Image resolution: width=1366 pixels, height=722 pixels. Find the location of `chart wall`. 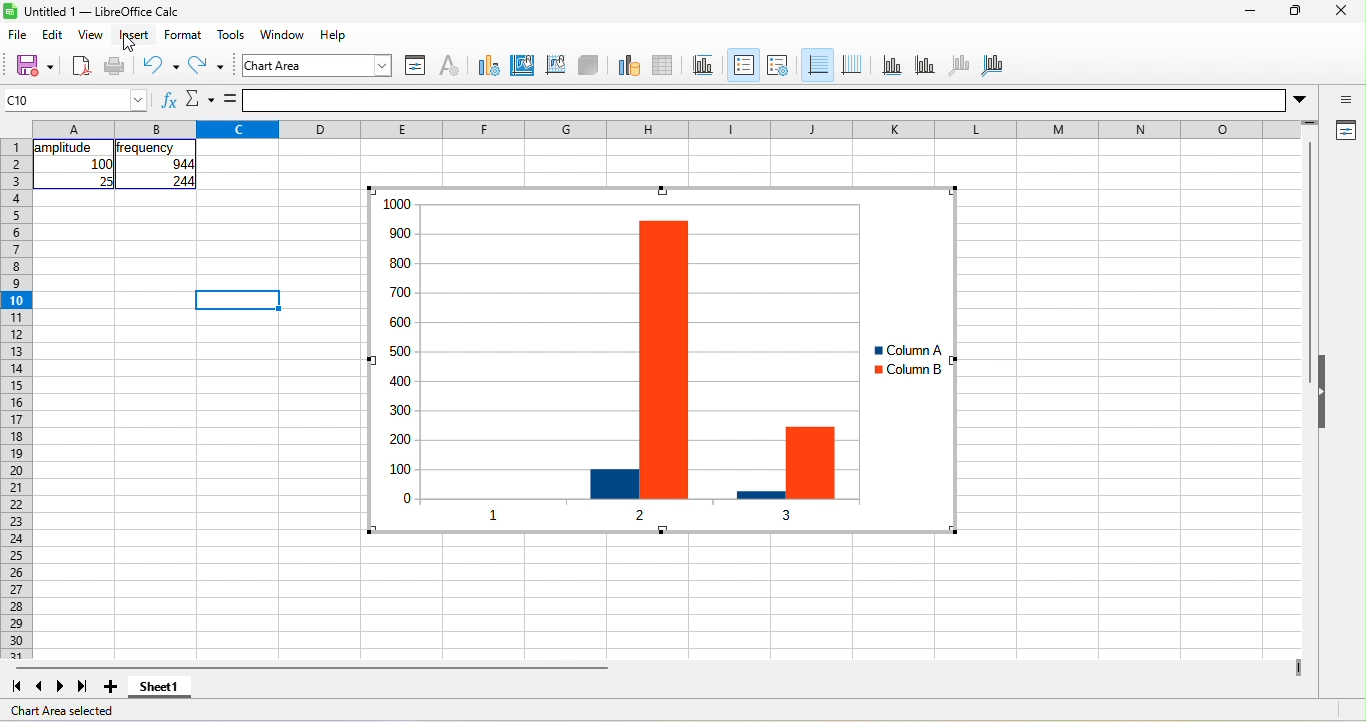

chart wall is located at coordinates (555, 63).